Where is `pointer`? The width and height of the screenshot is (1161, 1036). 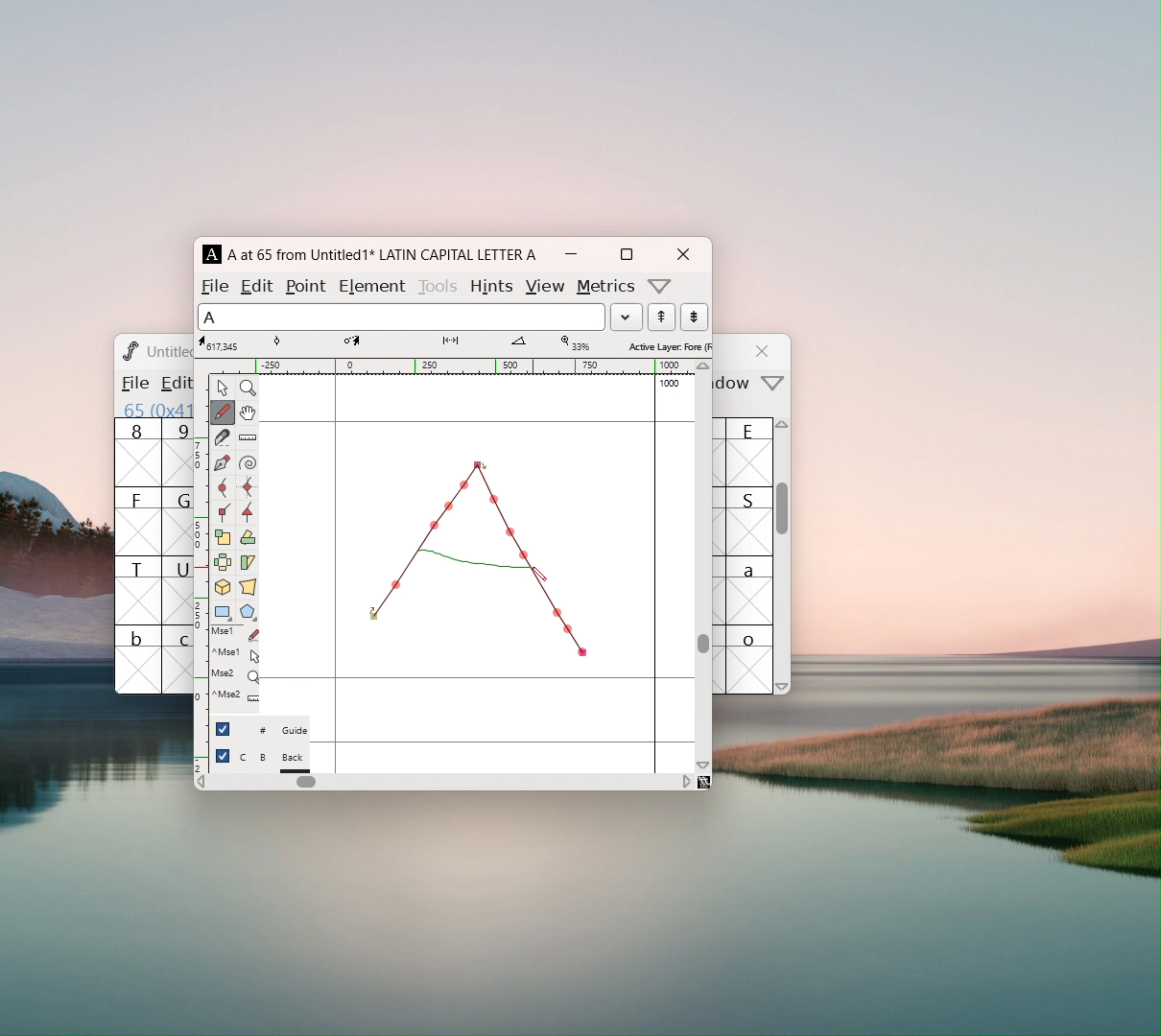
pointer is located at coordinates (223, 388).